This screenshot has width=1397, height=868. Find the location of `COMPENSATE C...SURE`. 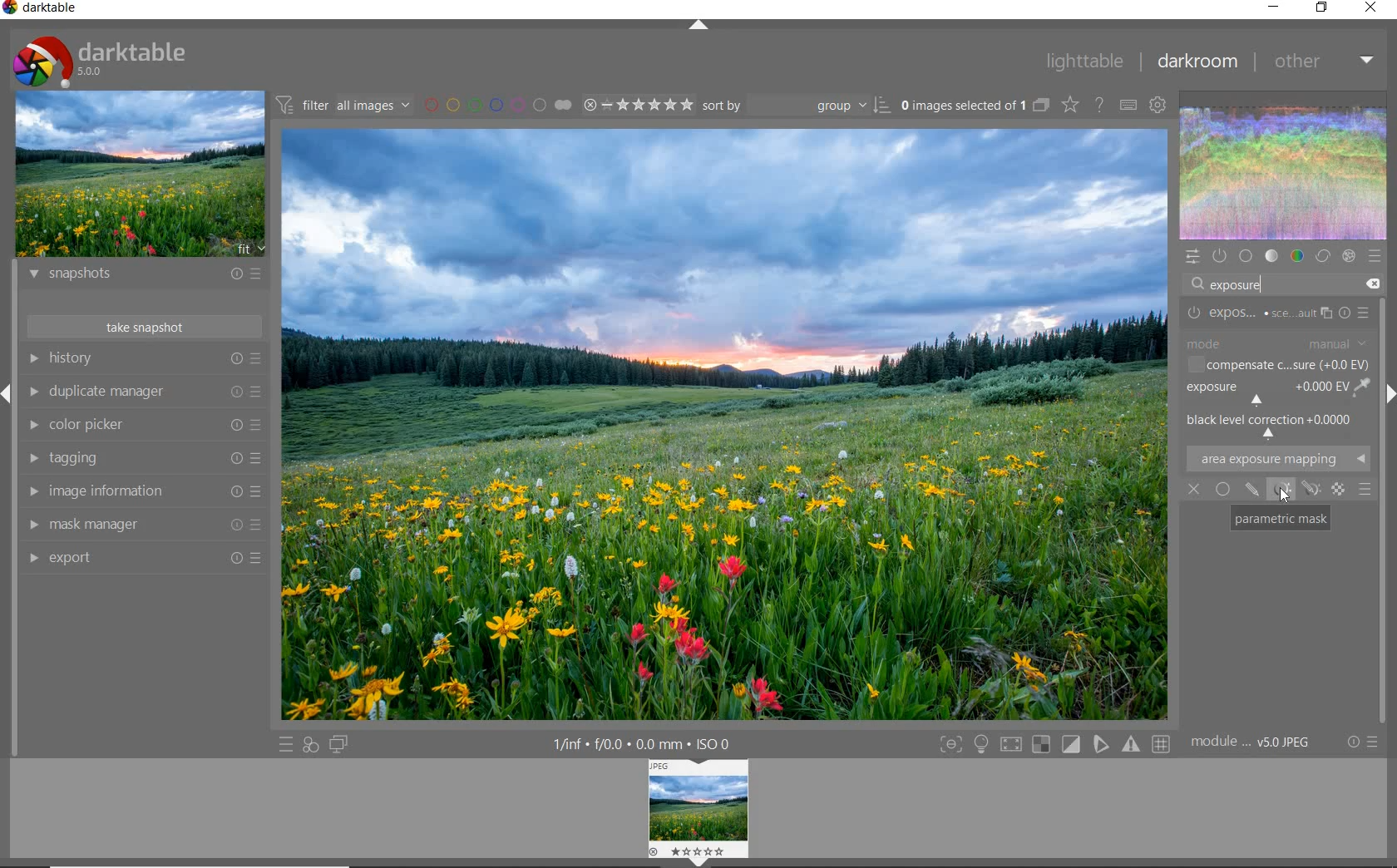

COMPENSATE C...SURE is located at coordinates (1275, 365).